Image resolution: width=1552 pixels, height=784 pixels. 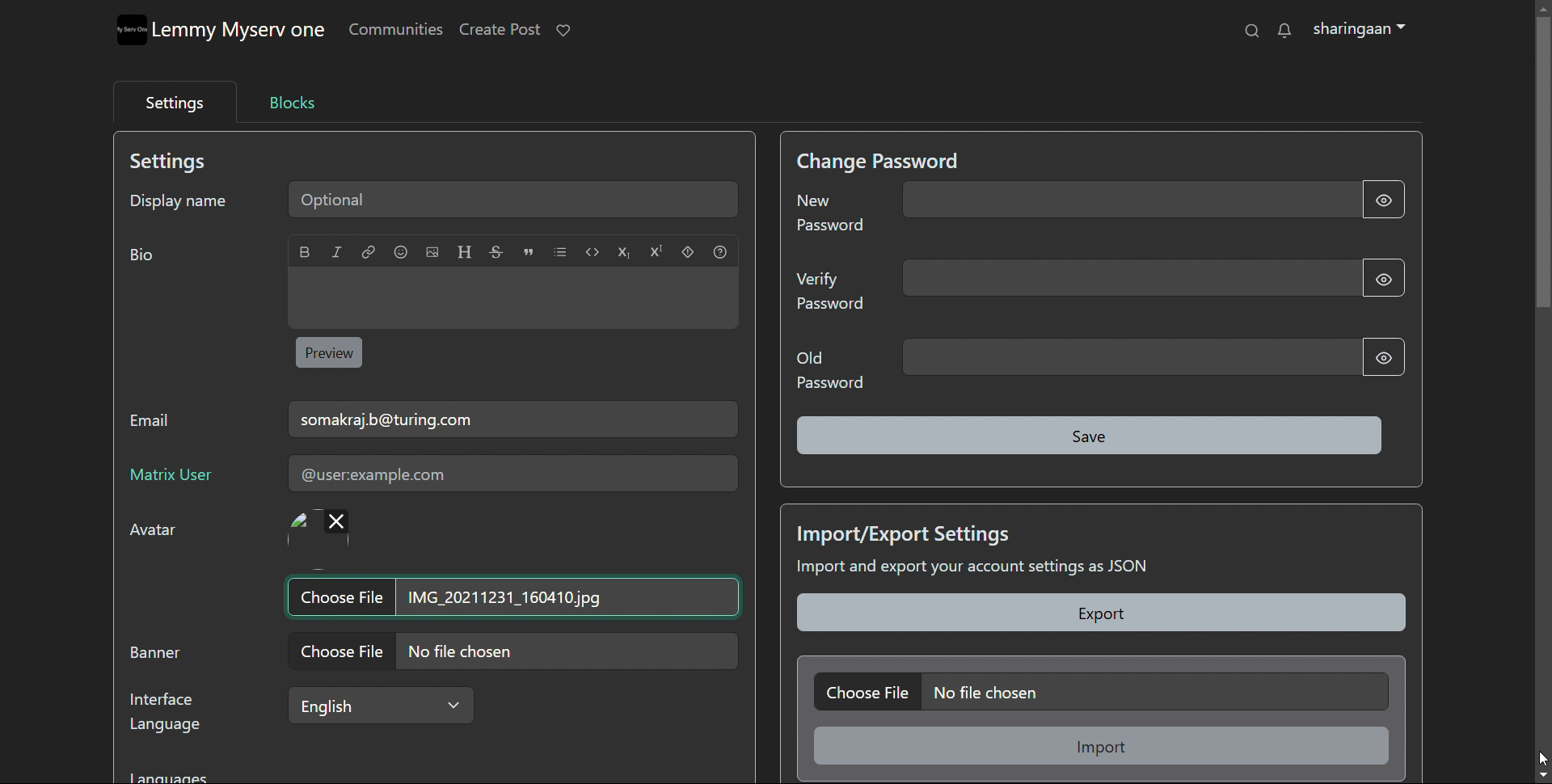 I want to click on Import/Export Settings, so click(x=908, y=532).